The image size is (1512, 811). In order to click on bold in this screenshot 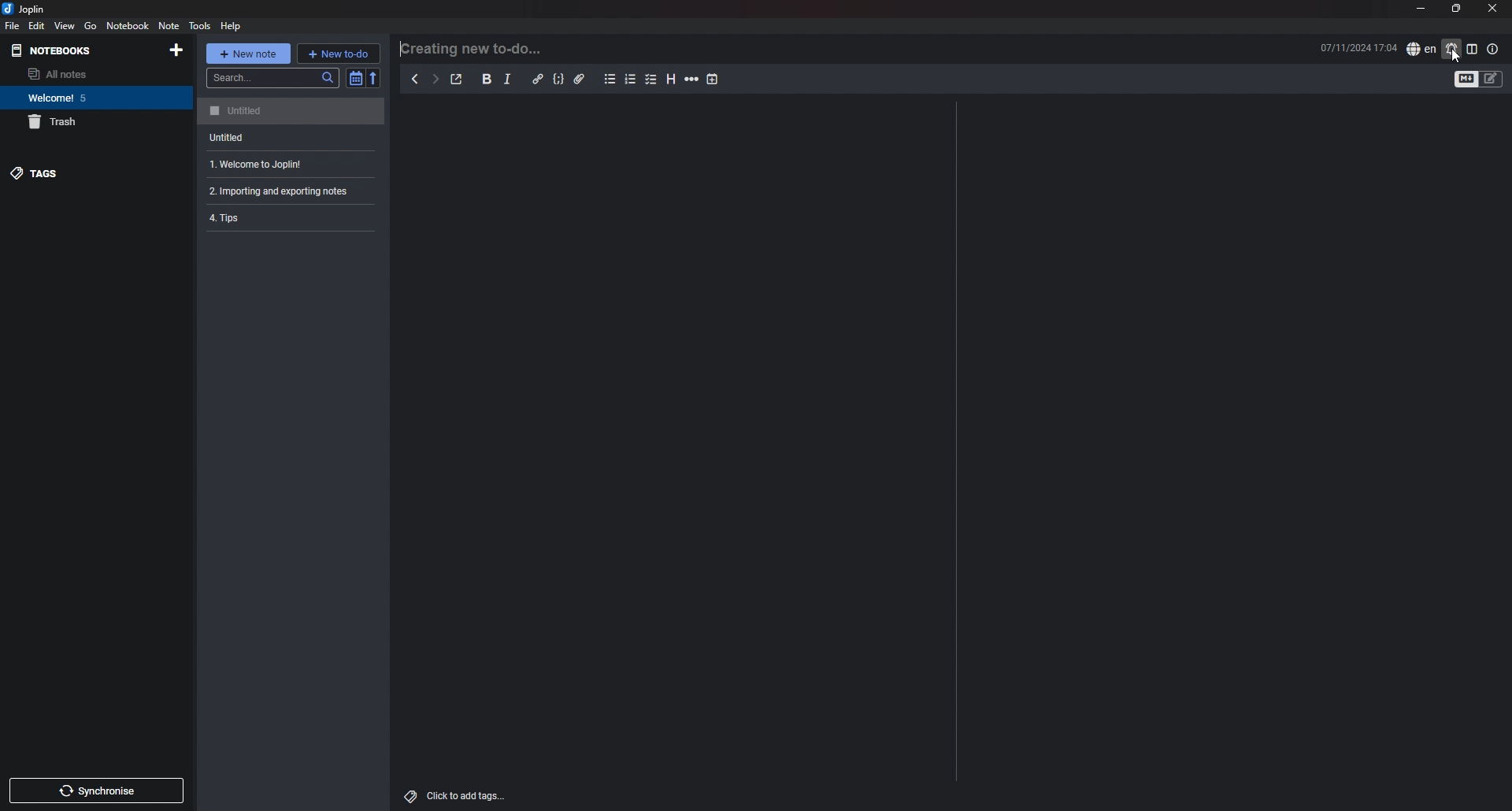, I will do `click(487, 79)`.